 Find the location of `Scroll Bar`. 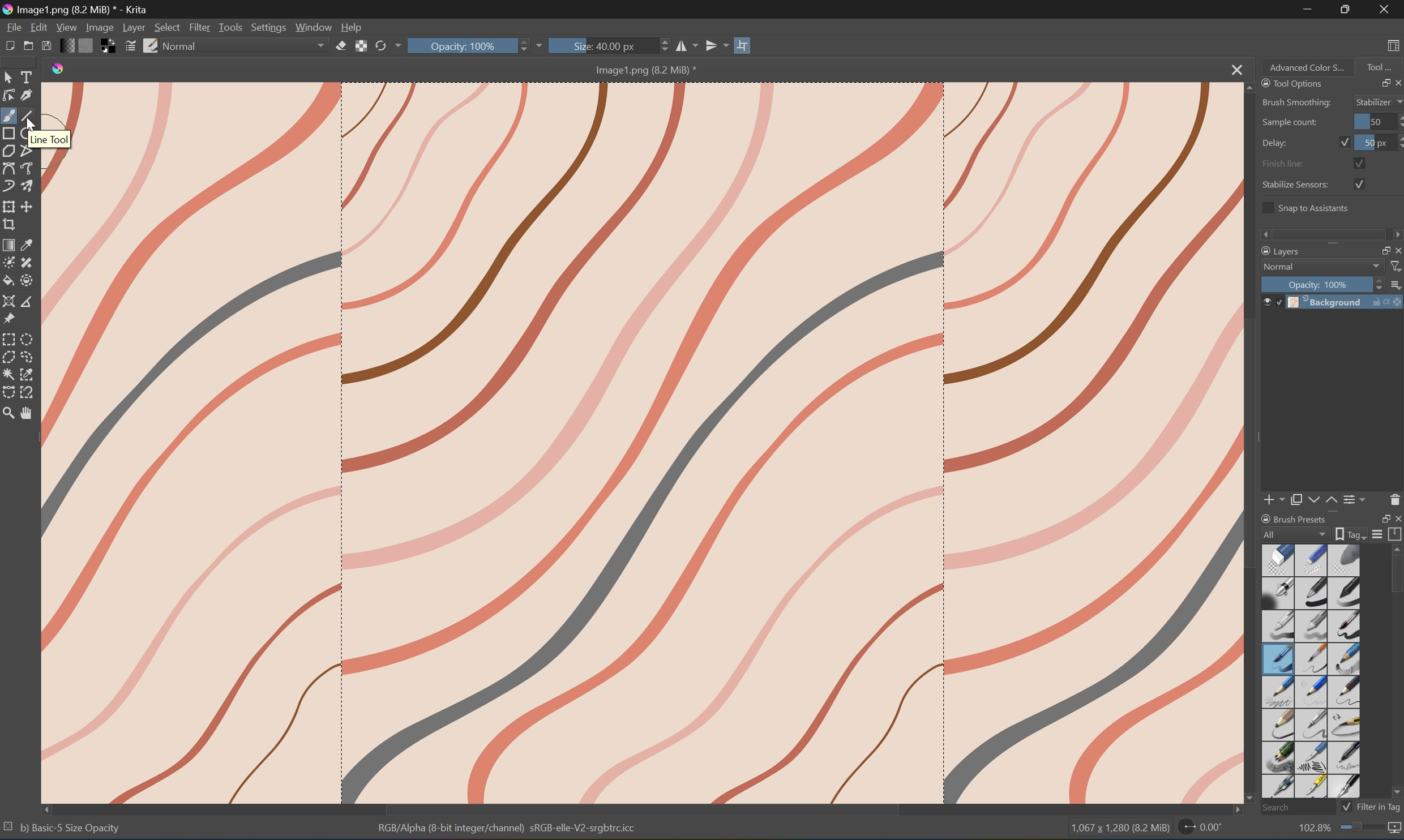

Scroll Bar is located at coordinates (1395, 576).